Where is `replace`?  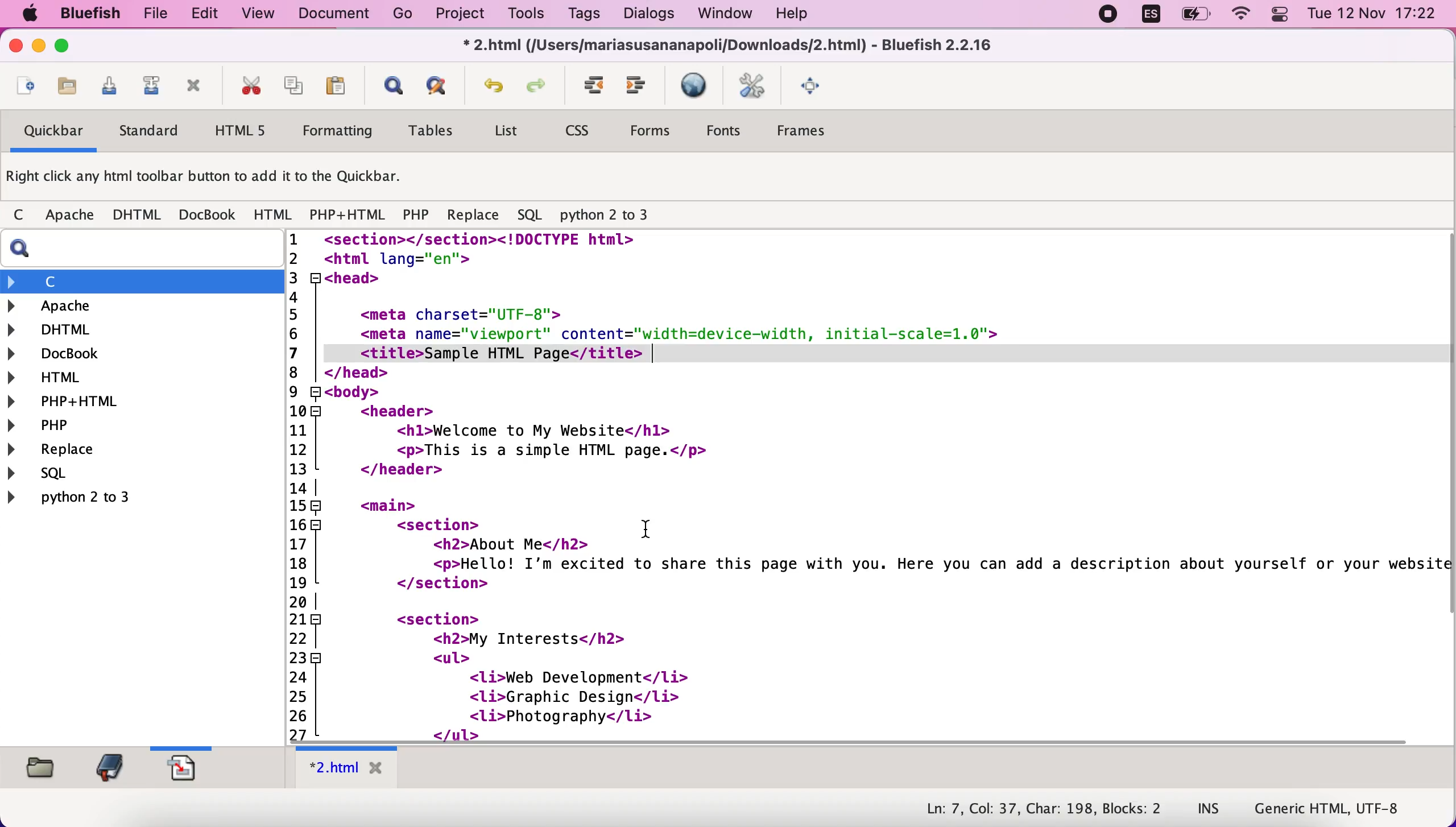
replace is located at coordinates (98, 450).